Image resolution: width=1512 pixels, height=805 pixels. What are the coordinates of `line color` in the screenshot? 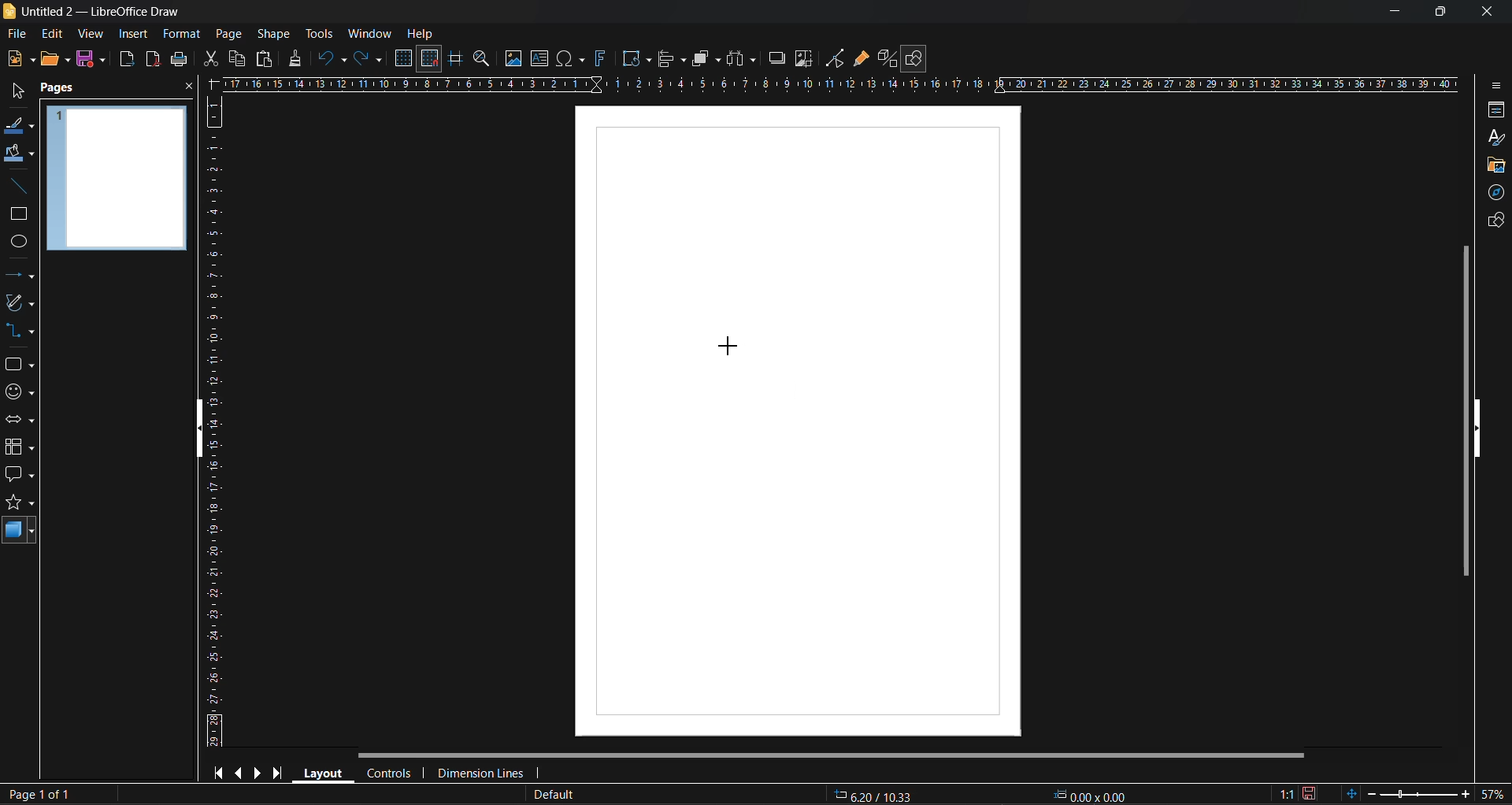 It's located at (17, 127).